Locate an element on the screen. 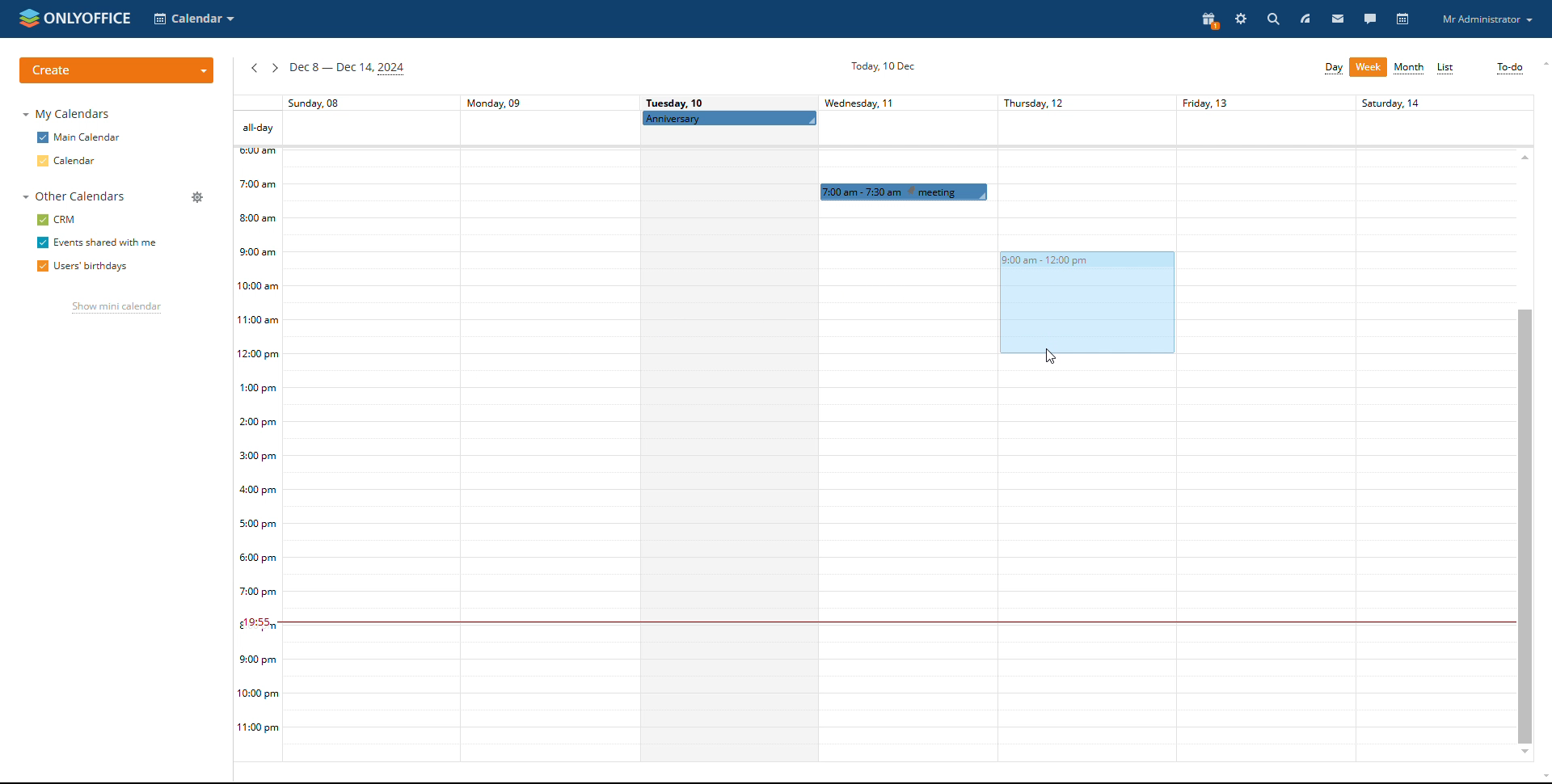 The image size is (1552, 784). checkbox is located at coordinates (41, 242).